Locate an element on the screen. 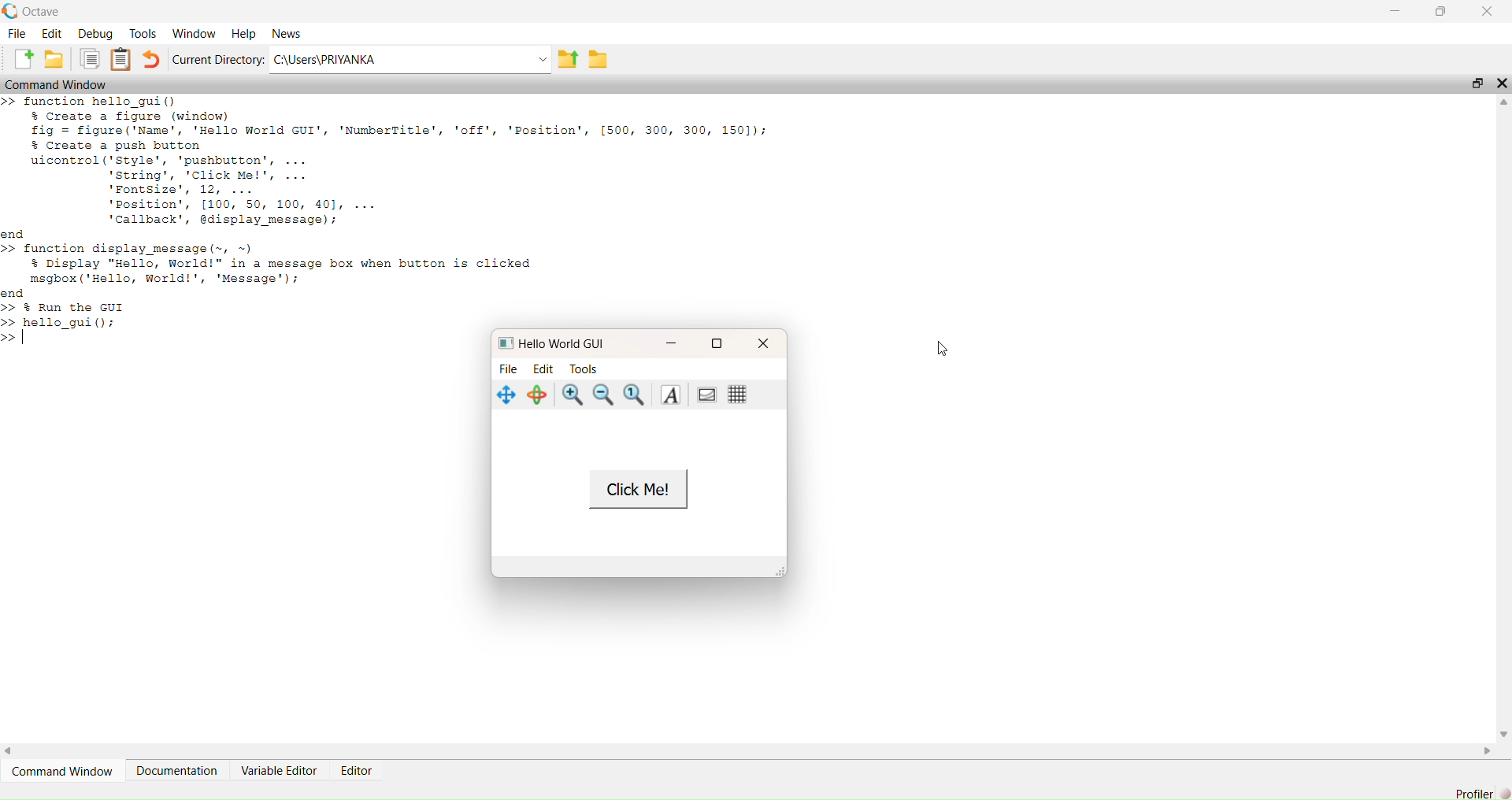 This screenshot has width=1512, height=800. notes is located at coordinates (124, 60).